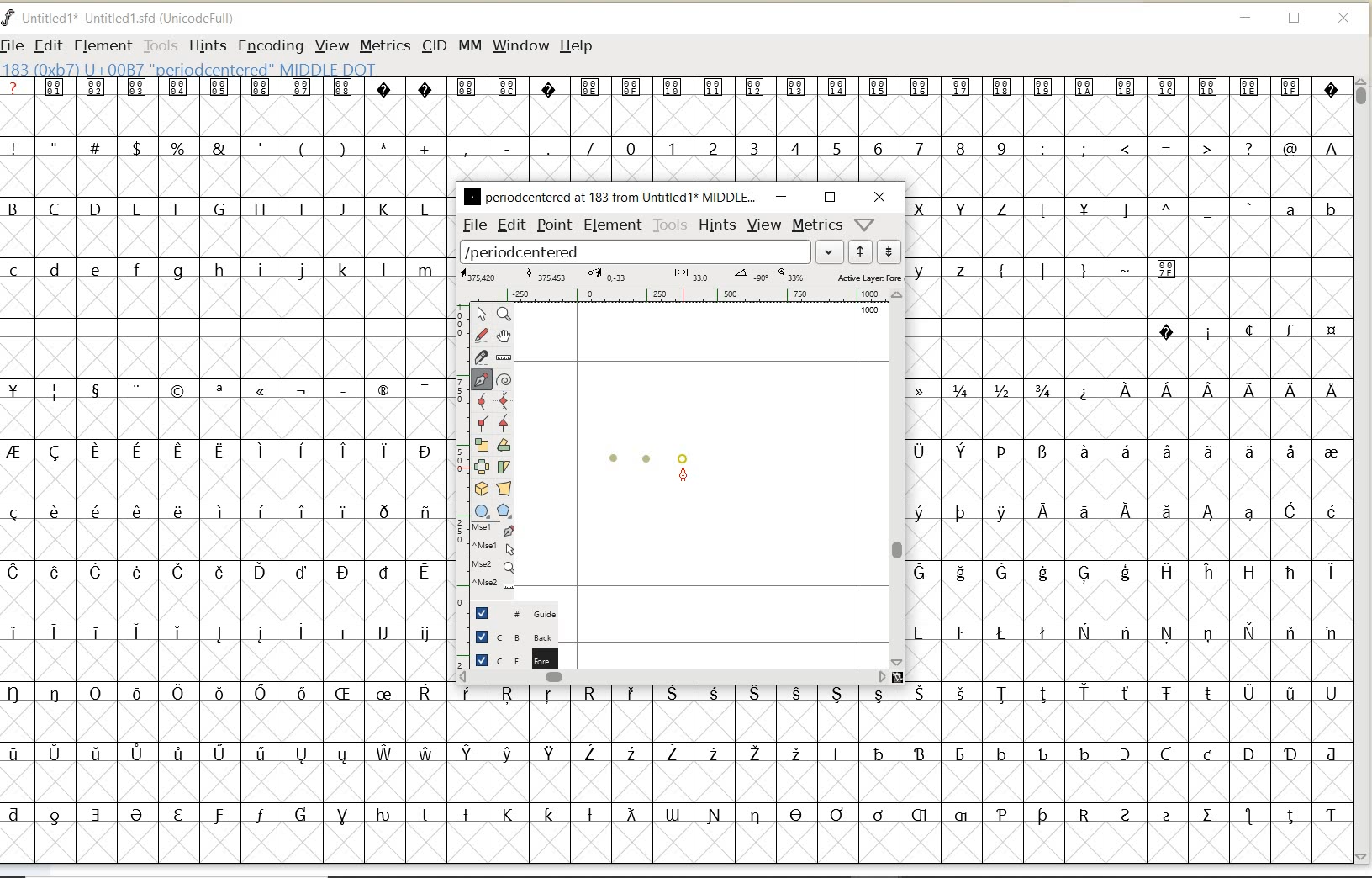 The height and width of the screenshot is (878, 1372). What do you see at coordinates (964, 208) in the screenshot?
I see `uppercase letters` at bounding box center [964, 208].